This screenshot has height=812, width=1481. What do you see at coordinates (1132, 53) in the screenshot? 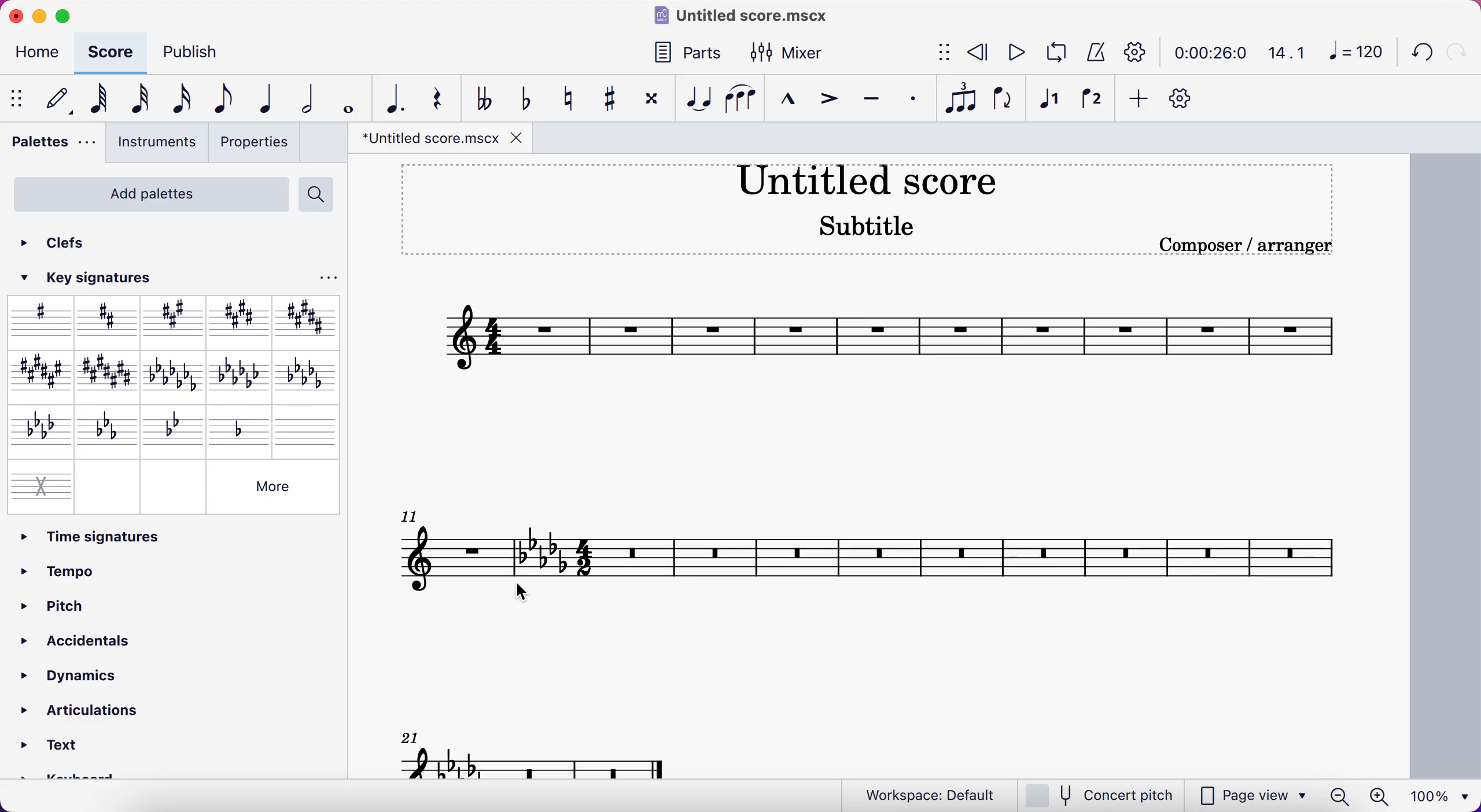
I see `playback settings` at bounding box center [1132, 53].